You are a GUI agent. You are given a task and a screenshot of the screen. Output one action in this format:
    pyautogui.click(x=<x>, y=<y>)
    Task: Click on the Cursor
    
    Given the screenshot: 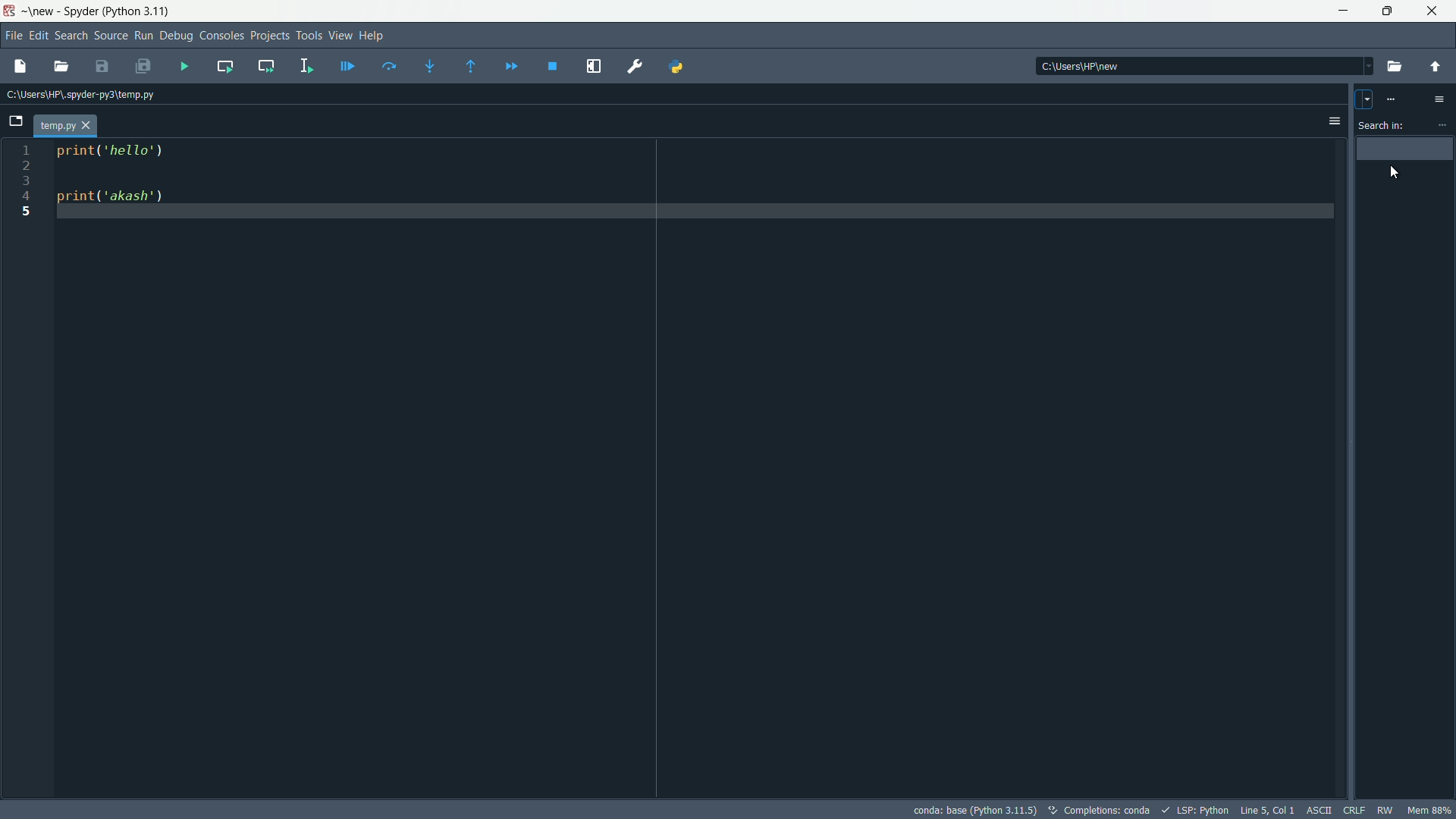 What is the action you would take?
    pyautogui.click(x=1395, y=174)
    